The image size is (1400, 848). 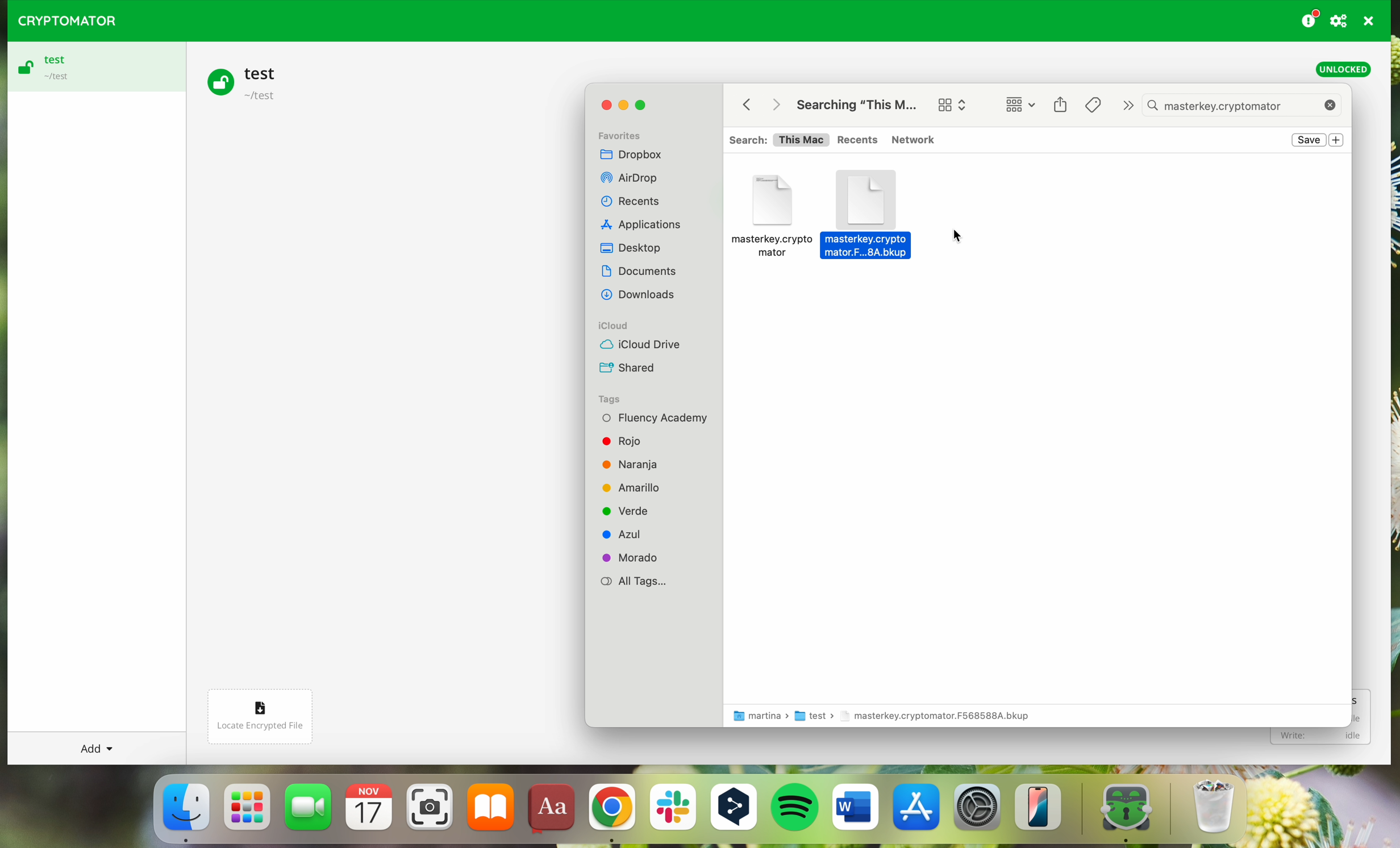 I want to click on This Mac, so click(x=802, y=141).